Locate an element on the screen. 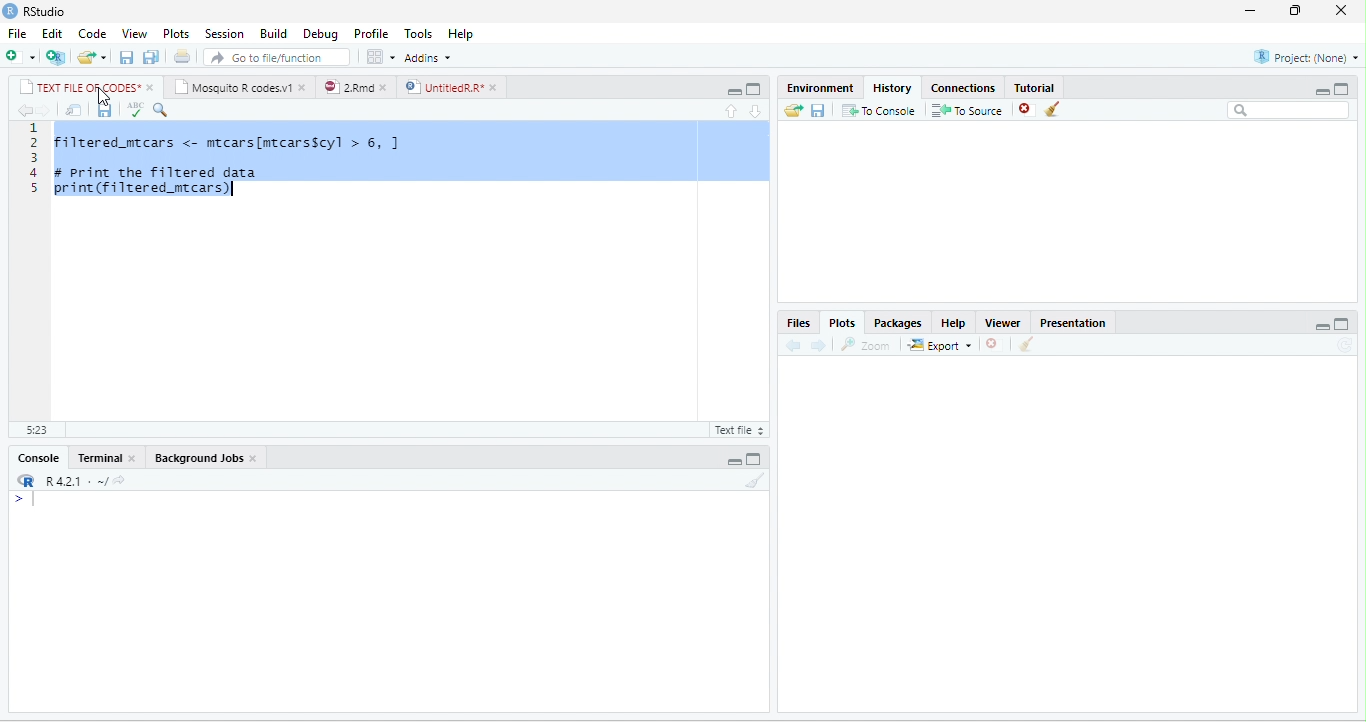 The width and height of the screenshot is (1366, 722). To source is located at coordinates (965, 110).